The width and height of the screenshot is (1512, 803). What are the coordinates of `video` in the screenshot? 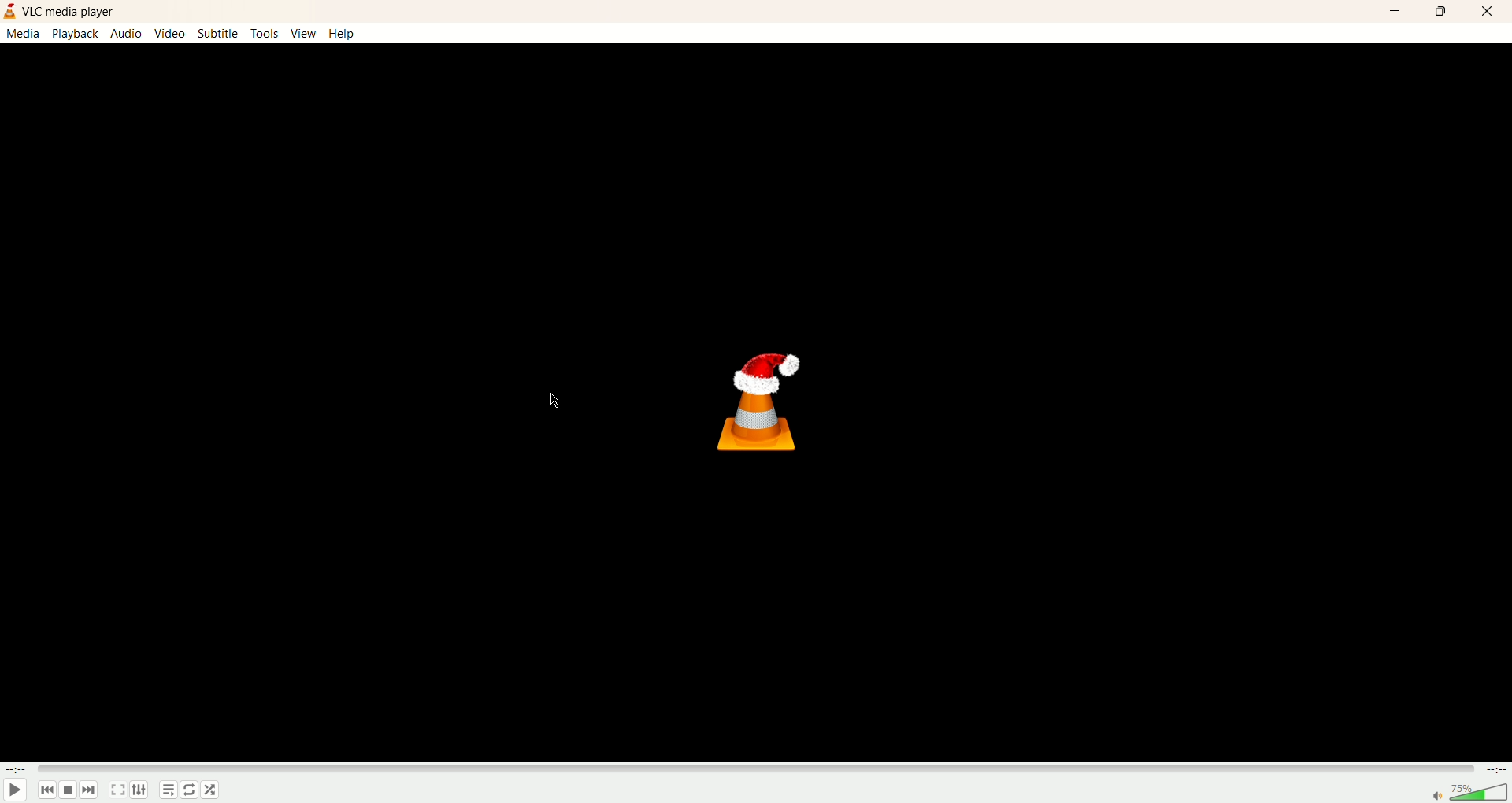 It's located at (171, 32).